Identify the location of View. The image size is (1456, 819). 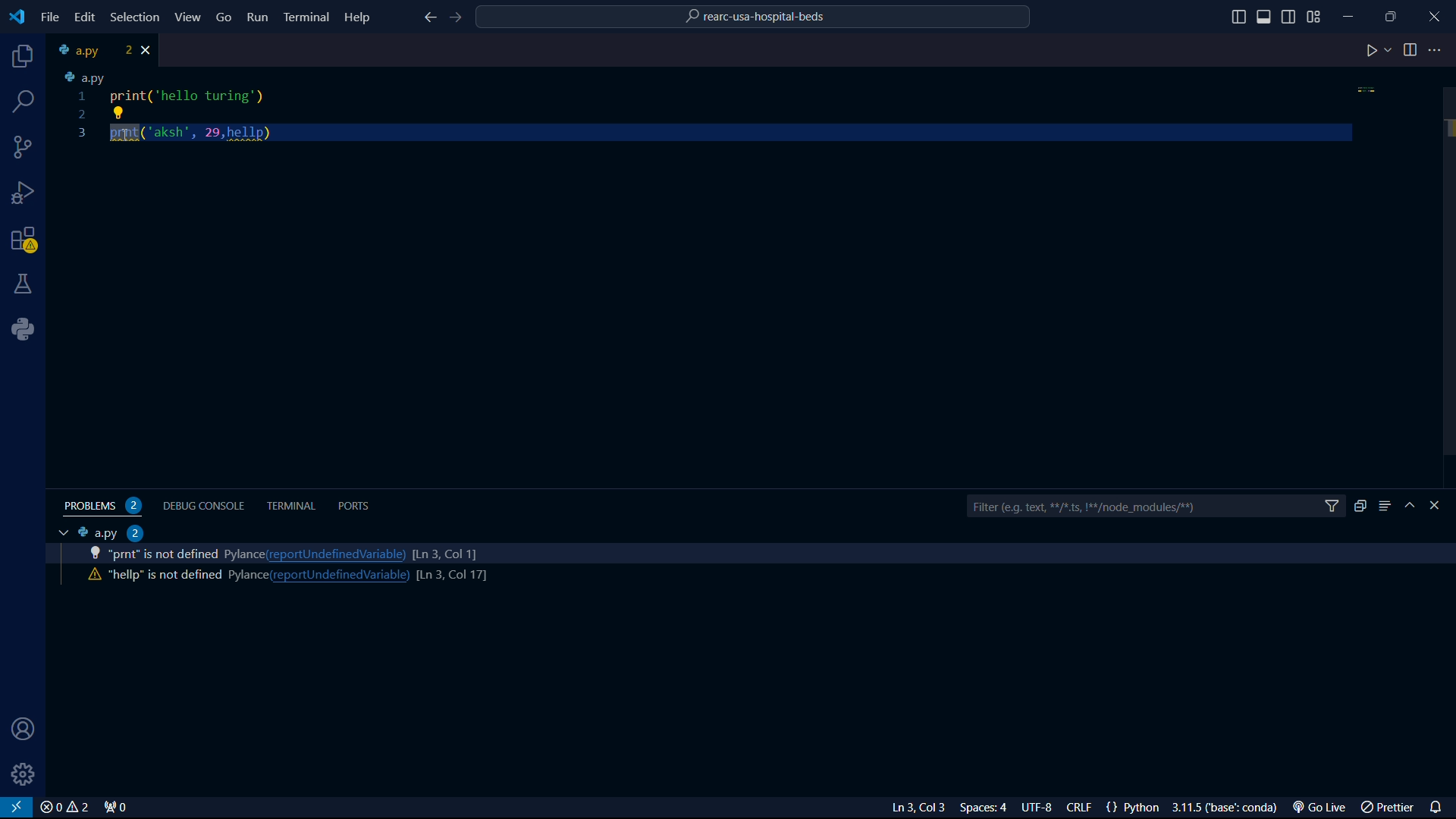
(189, 17).